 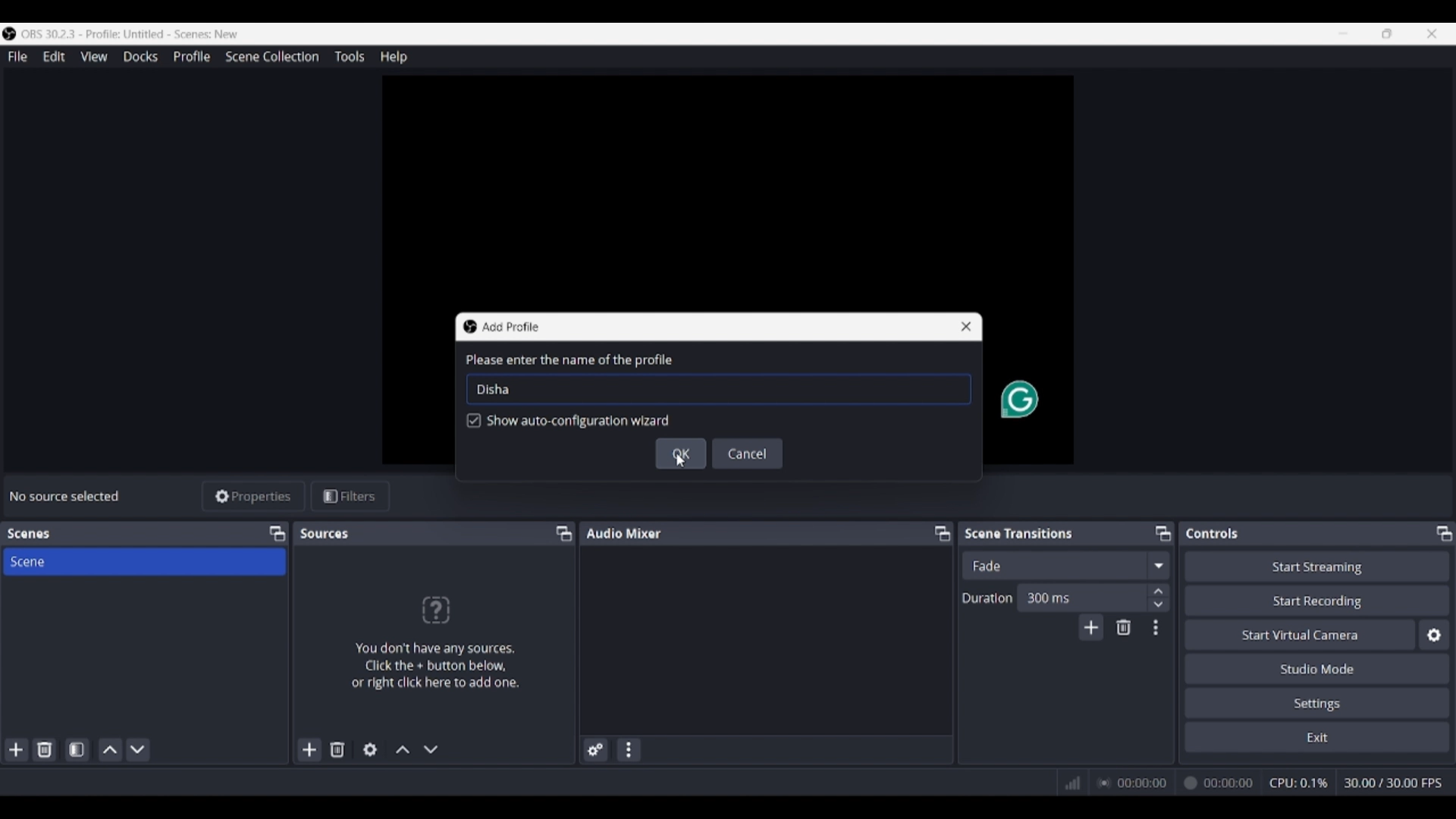 What do you see at coordinates (966, 327) in the screenshot?
I see `Close window` at bounding box center [966, 327].